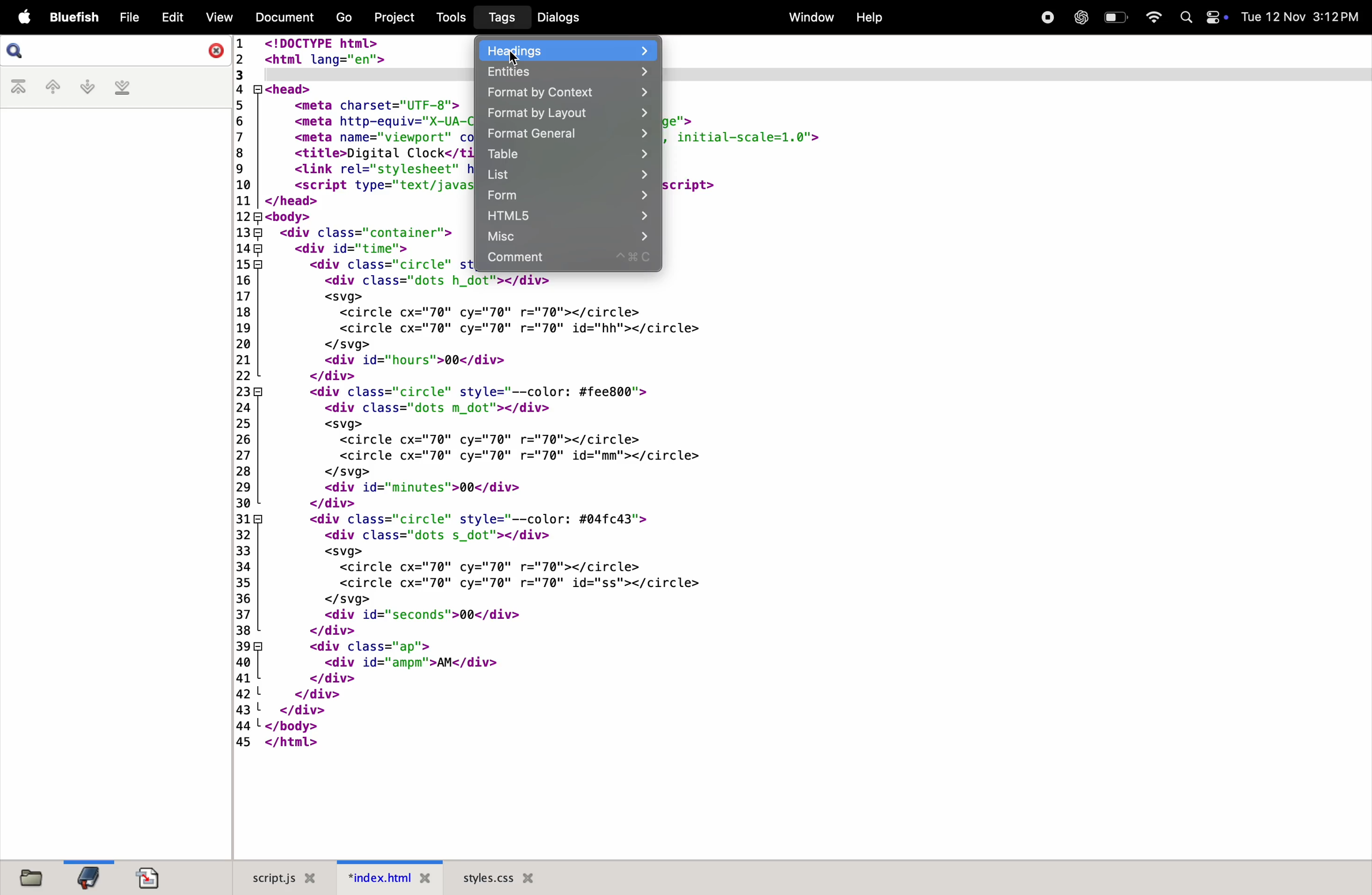  What do you see at coordinates (566, 93) in the screenshot?
I see `format by context` at bounding box center [566, 93].